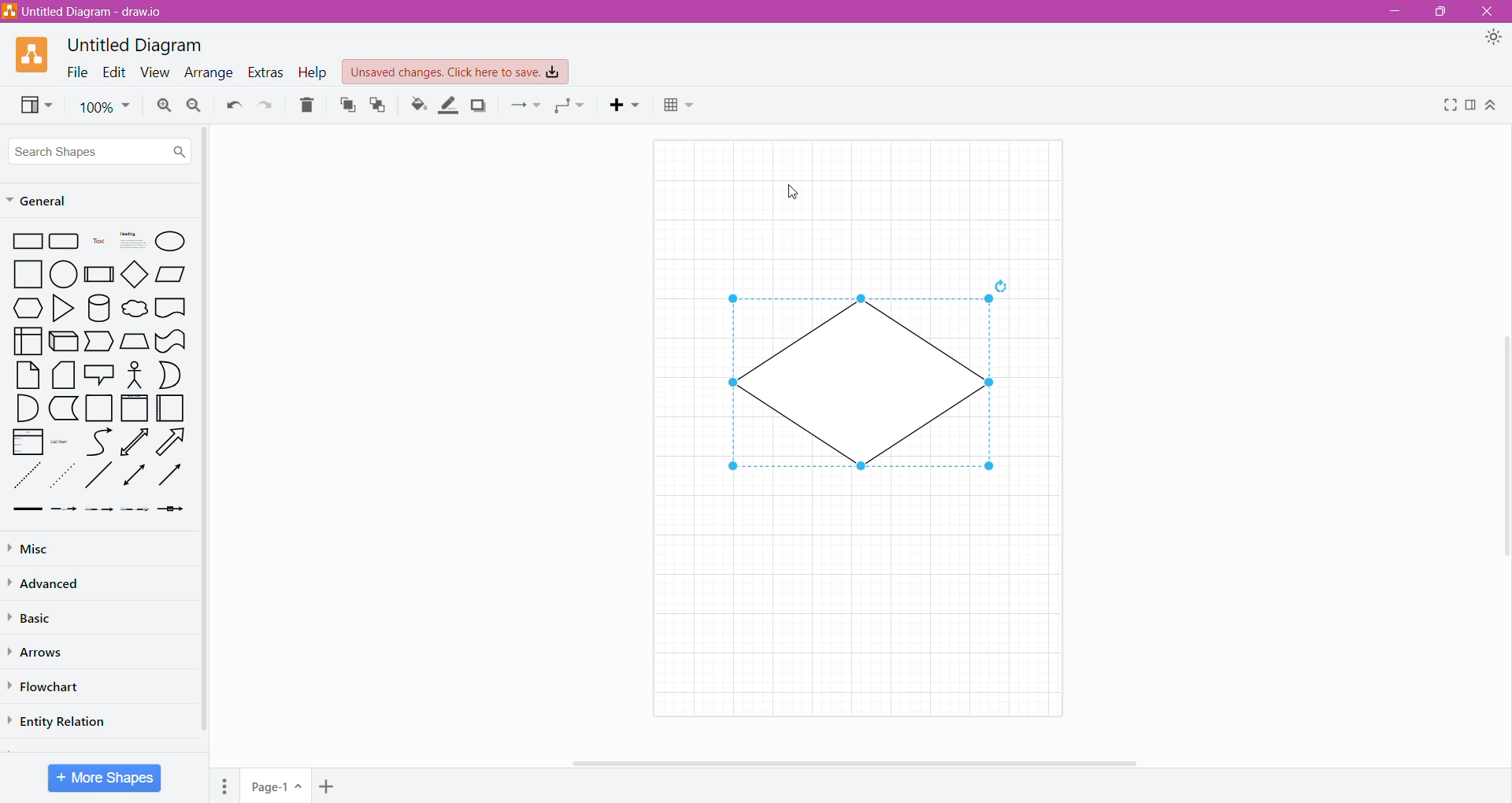 This screenshot has width=1512, height=803. Describe the element at coordinates (313, 73) in the screenshot. I see `Help` at that location.